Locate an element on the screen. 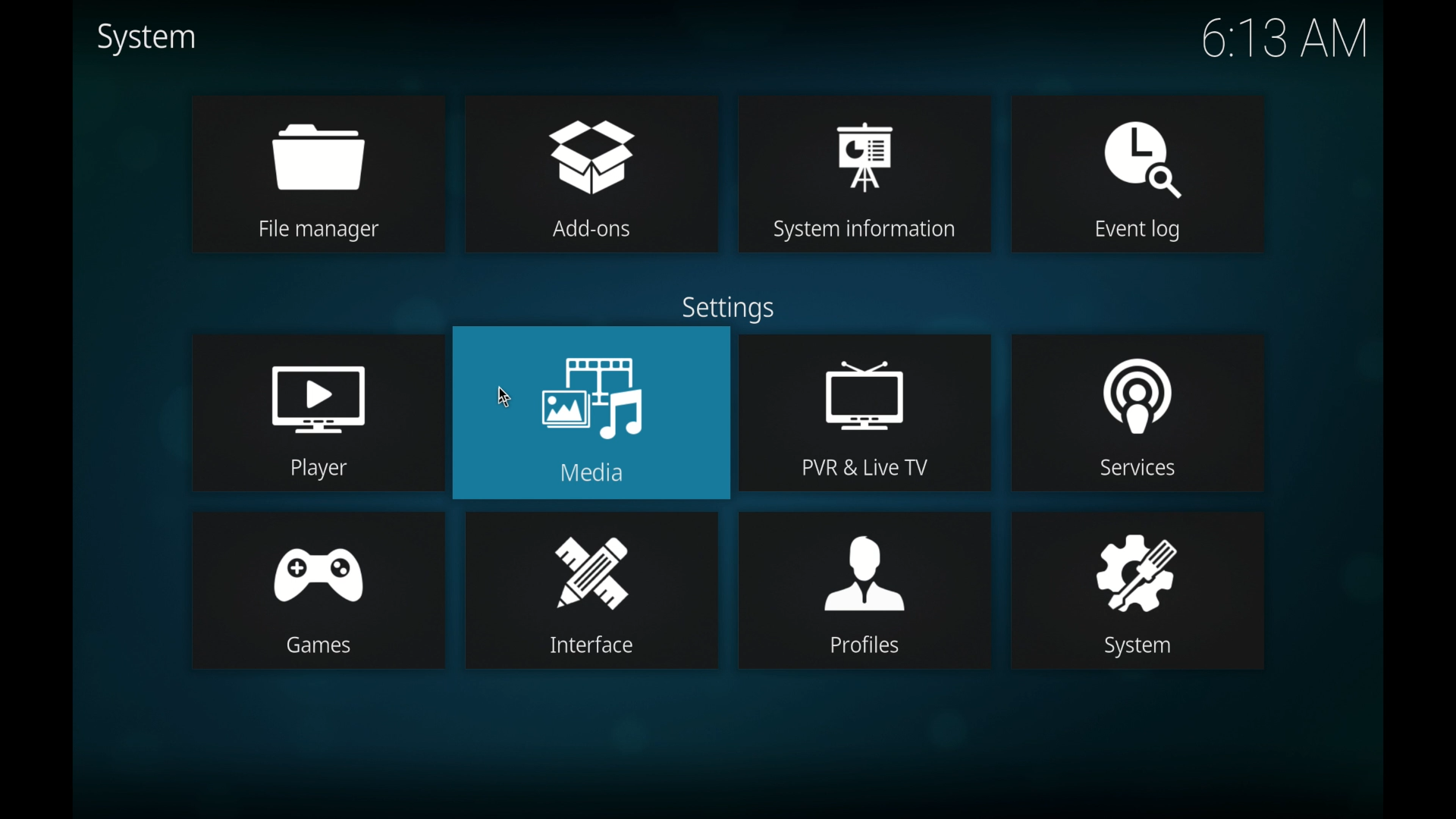 Image resolution: width=1456 pixels, height=819 pixels. file manager is located at coordinates (317, 174).